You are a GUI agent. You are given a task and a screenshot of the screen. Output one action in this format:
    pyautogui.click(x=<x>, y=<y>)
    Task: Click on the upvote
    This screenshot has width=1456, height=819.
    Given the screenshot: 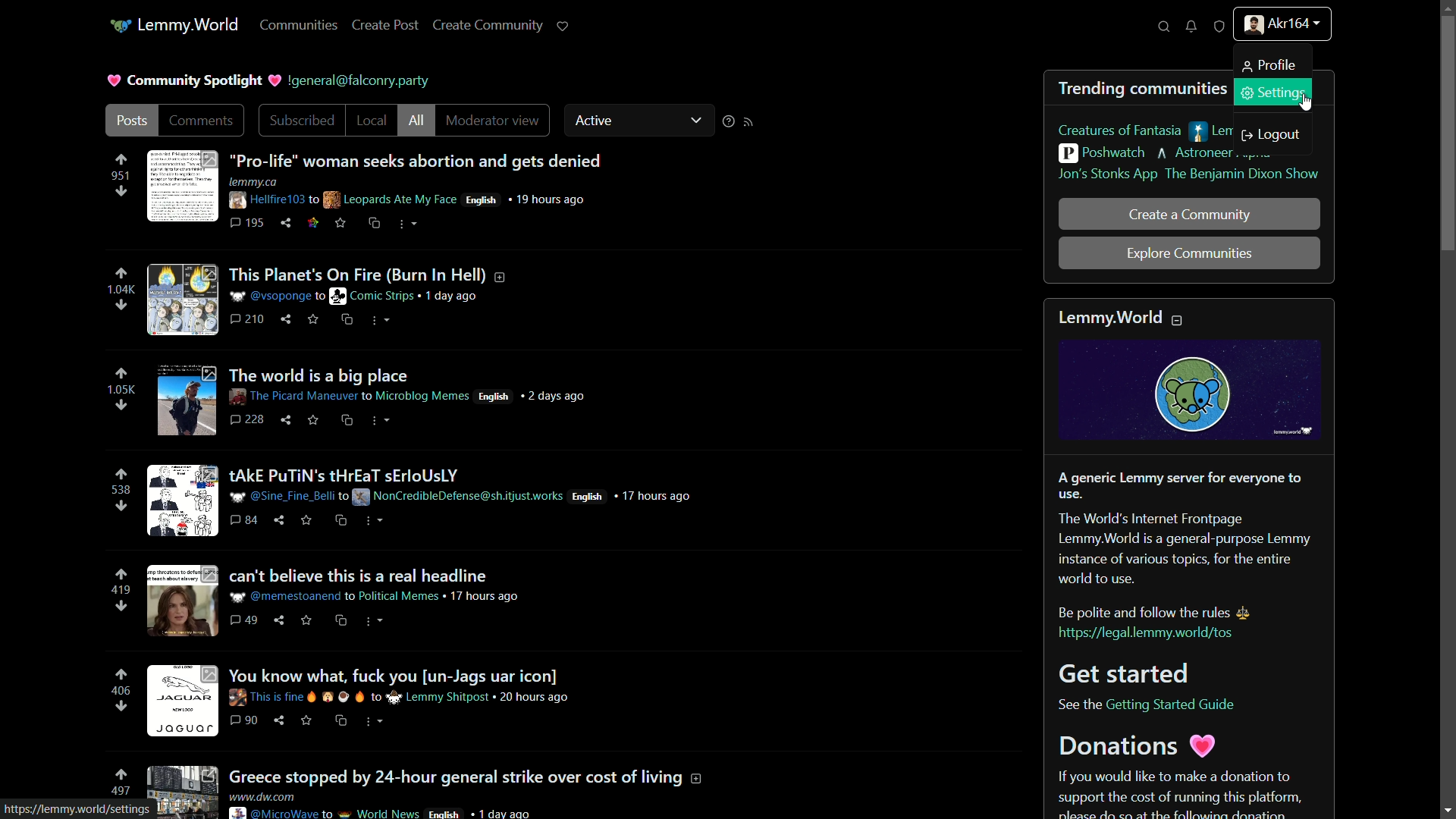 What is the action you would take?
    pyautogui.click(x=121, y=160)
    